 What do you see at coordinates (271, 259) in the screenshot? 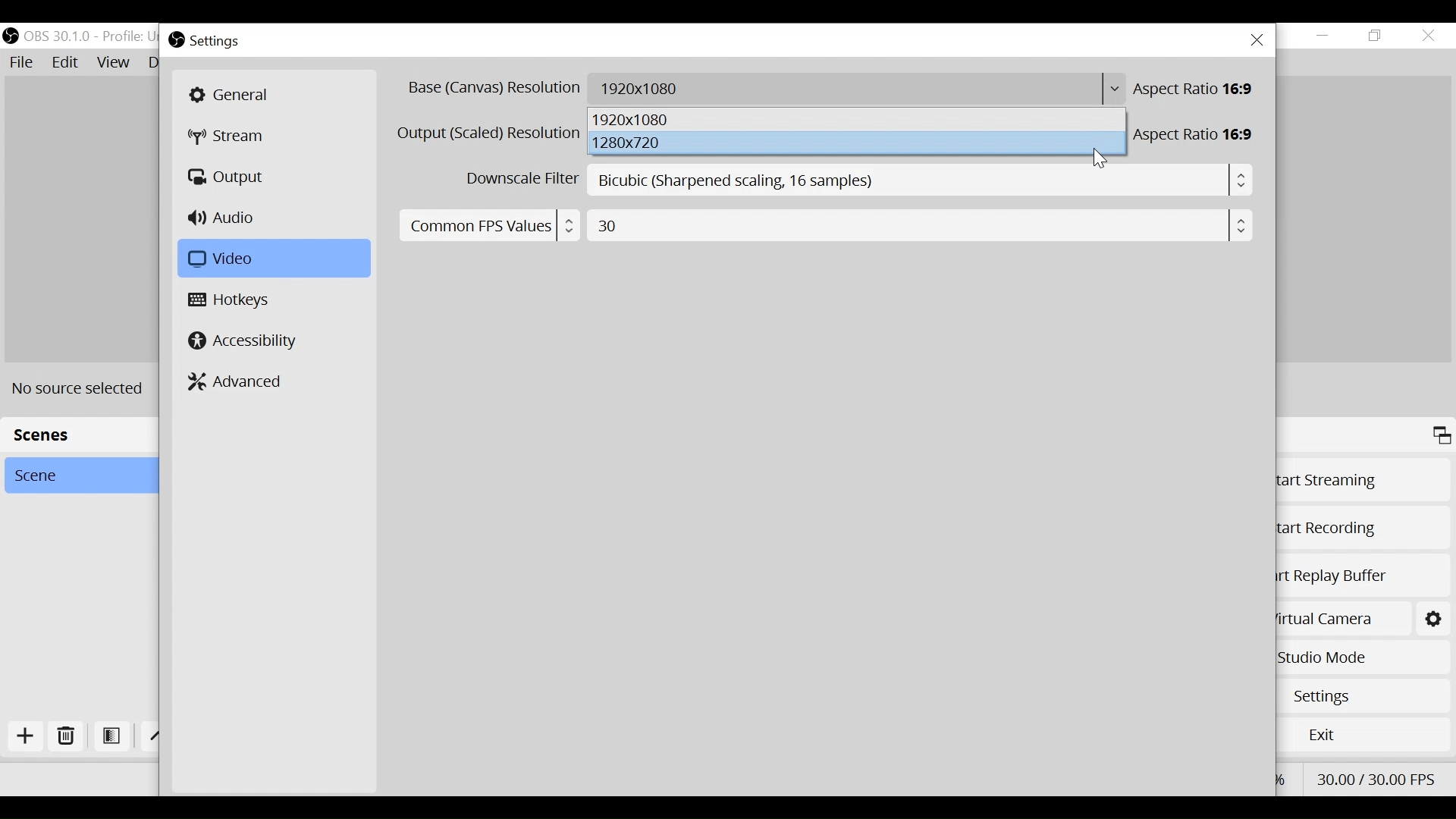
I see `Video` at bounding box center [271, 259].